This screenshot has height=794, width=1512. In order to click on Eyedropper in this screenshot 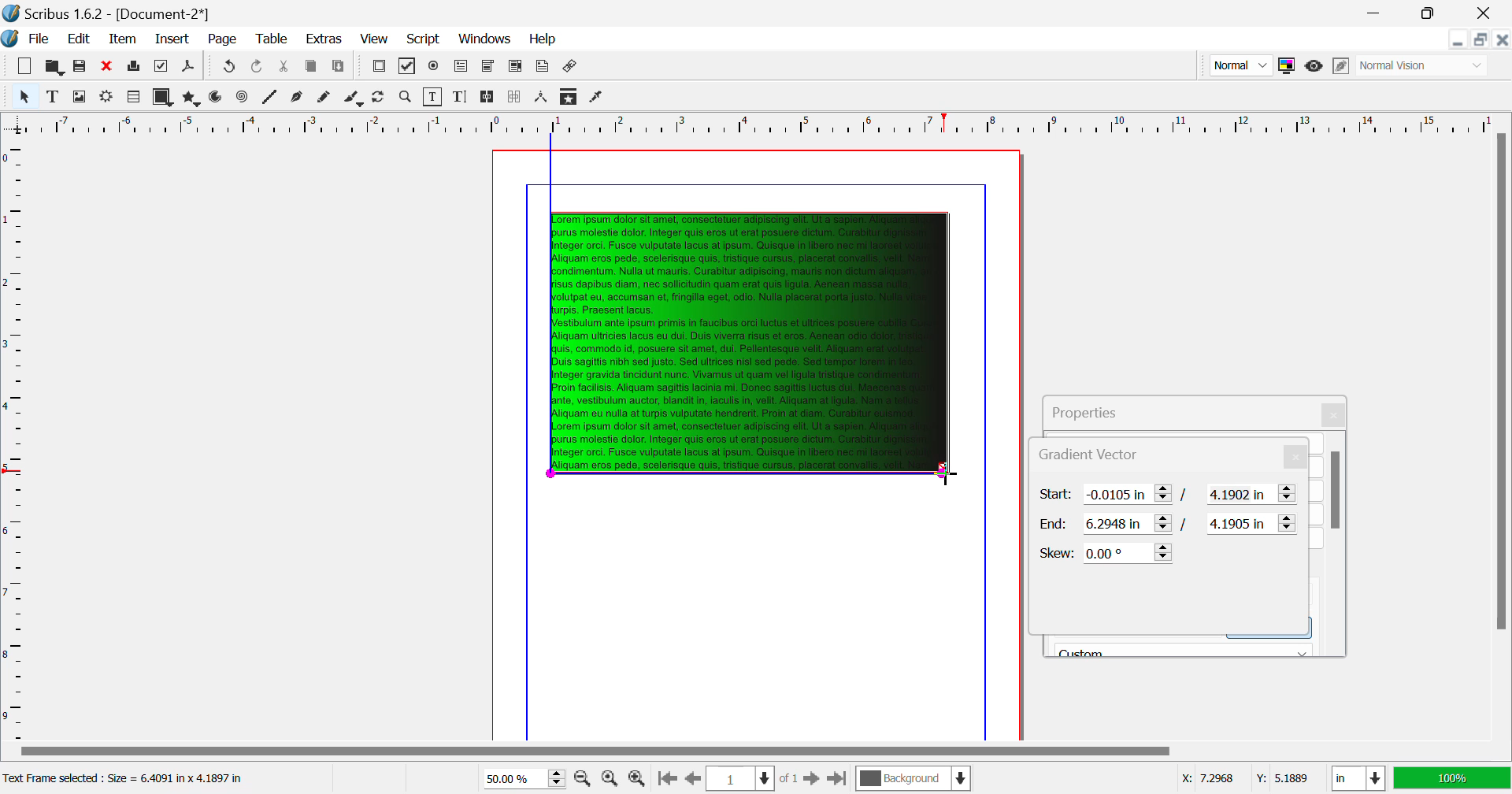, I will do `click(597, 98)`.